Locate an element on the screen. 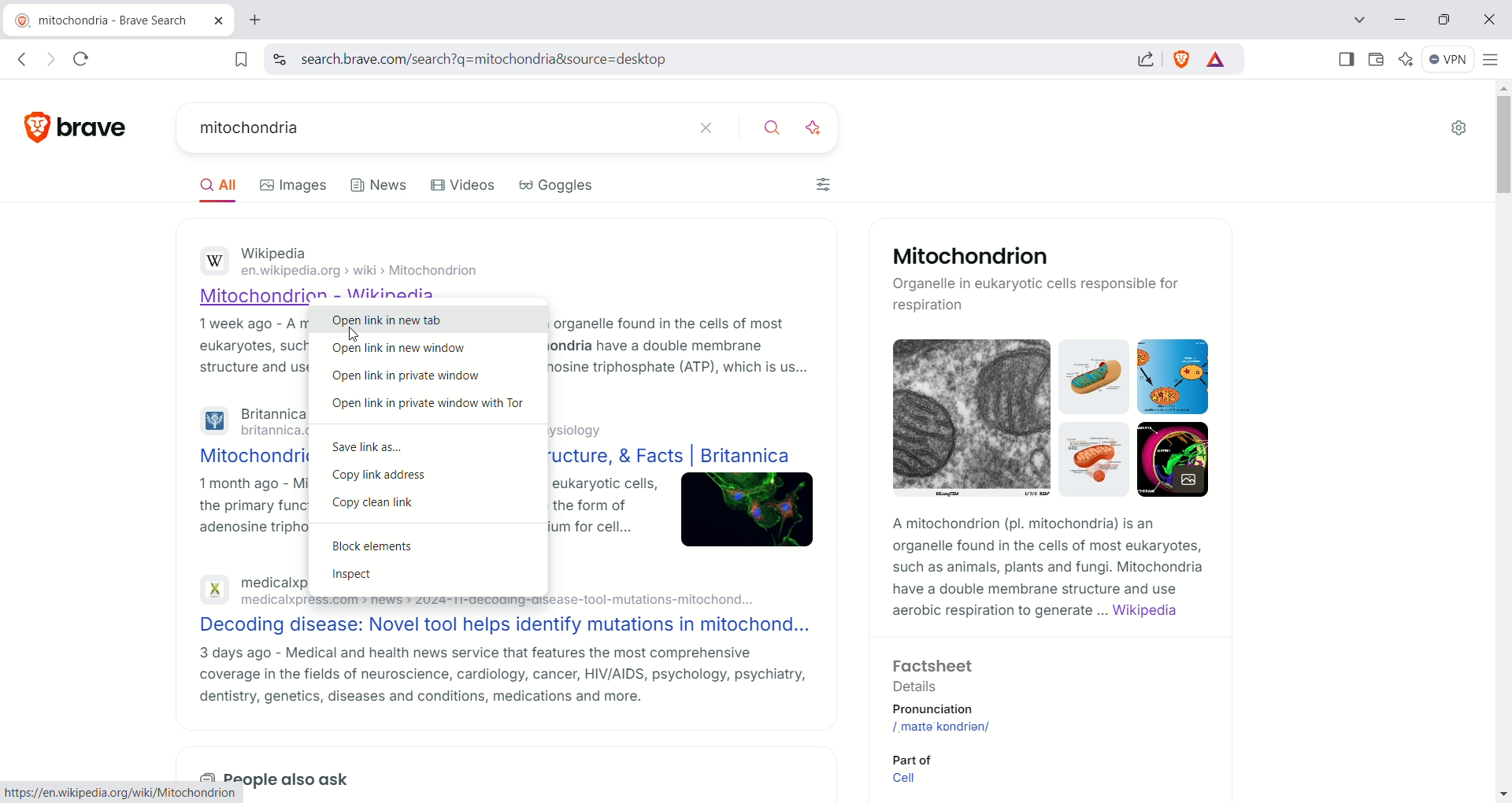 Image resolution: width=1512 pixels, height=803 pixels. copy link address is located at coordinates (381, 479).